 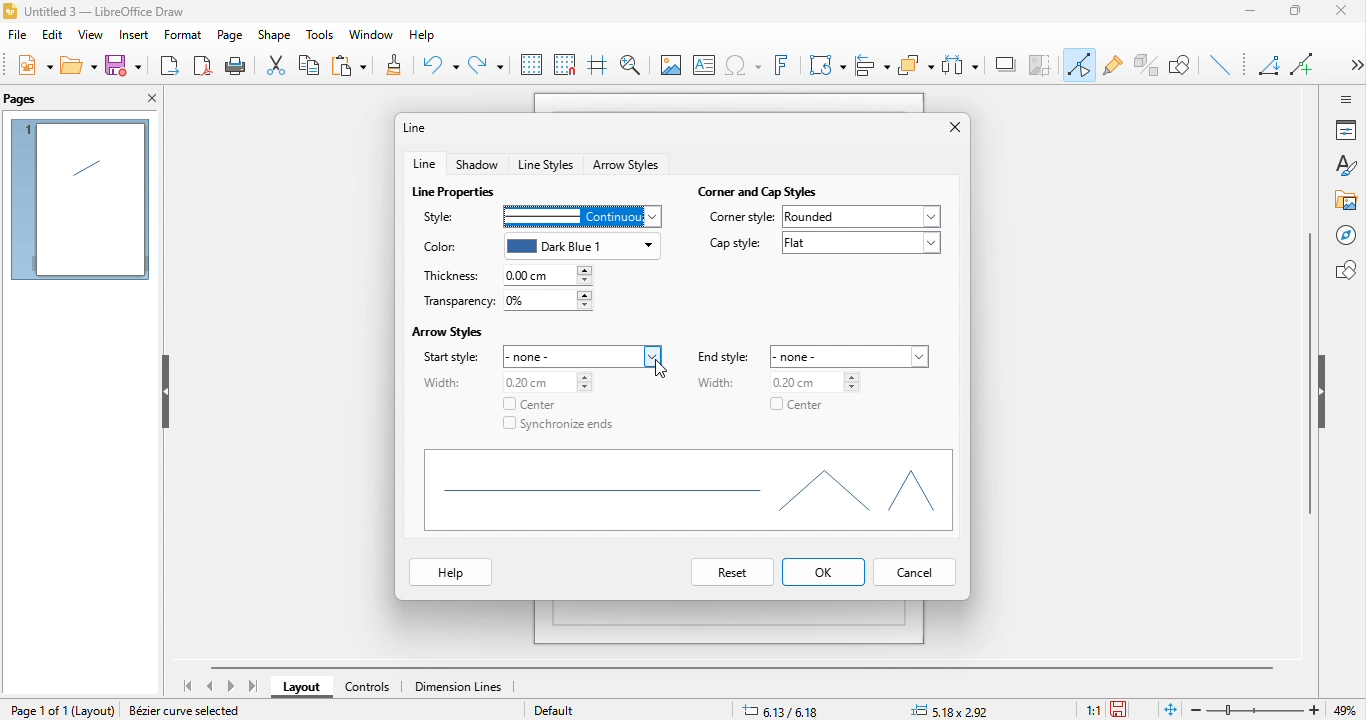 What do you see at coordinates (579, 215) in the screenshot?
I see `continuous` at bounding box center [579, 215].